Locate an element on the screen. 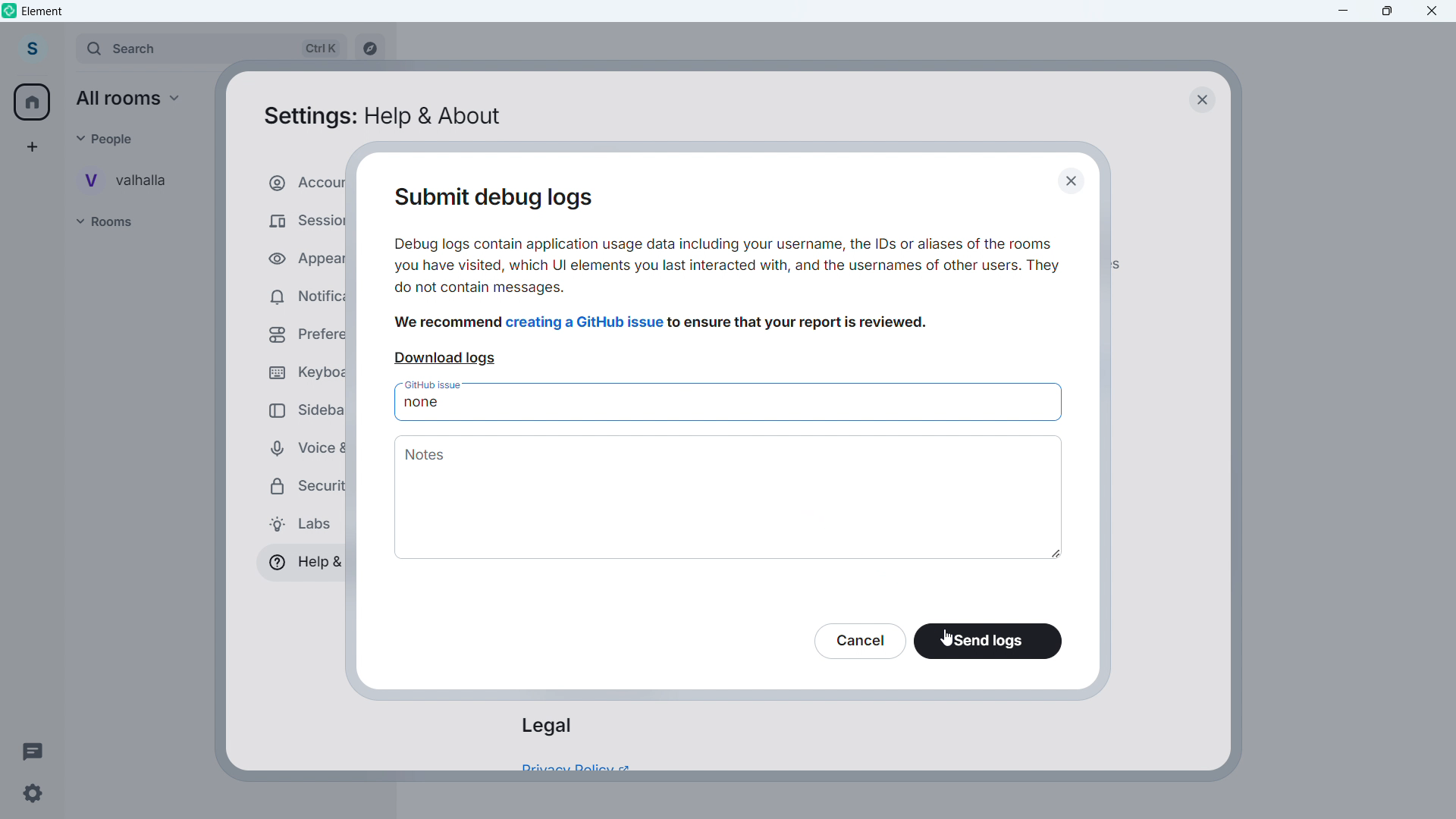  Settings: help and above is located at coordinates (381, 118).